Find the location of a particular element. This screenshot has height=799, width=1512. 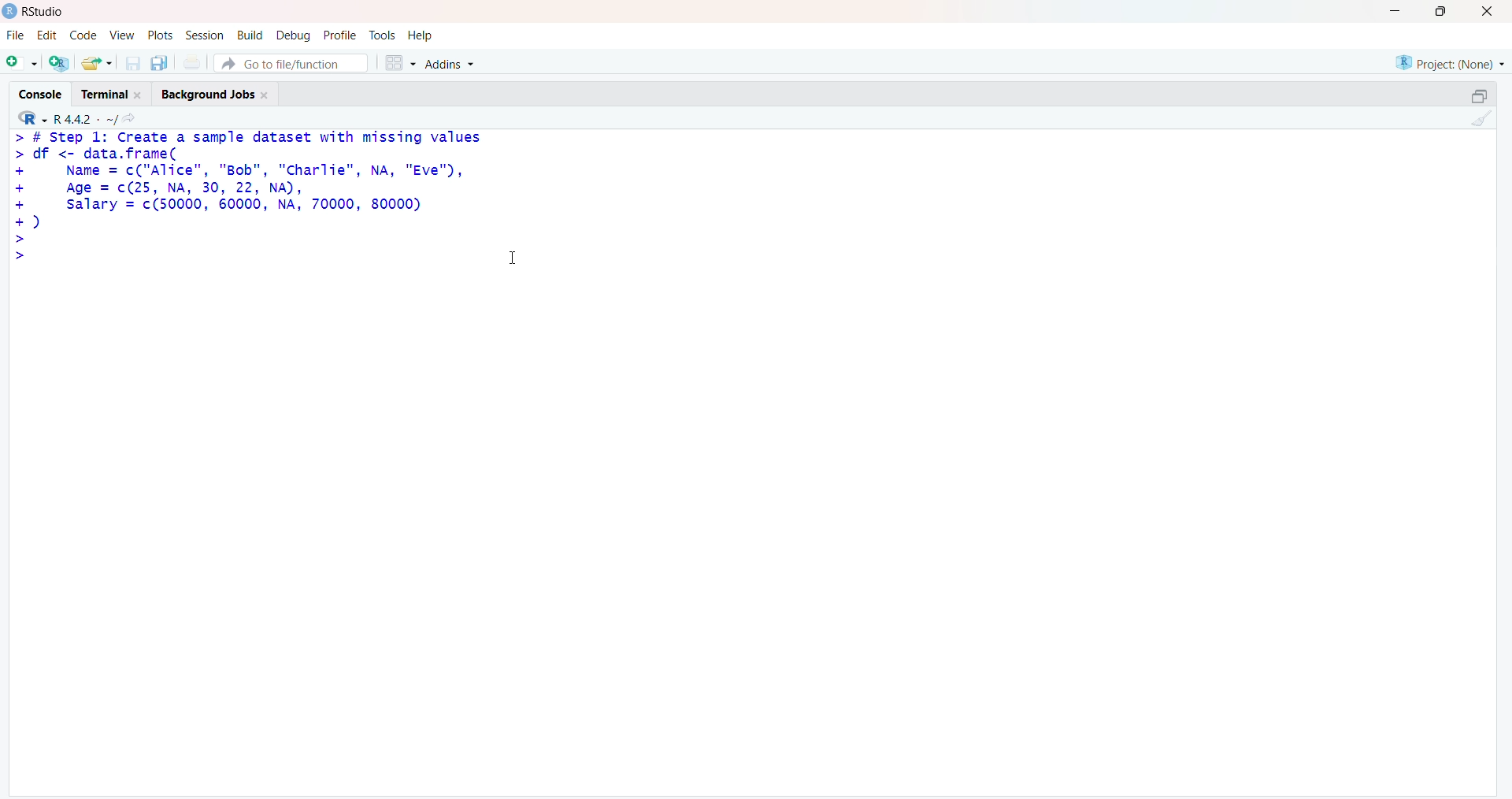

Console is located at coordinates (39, 92).